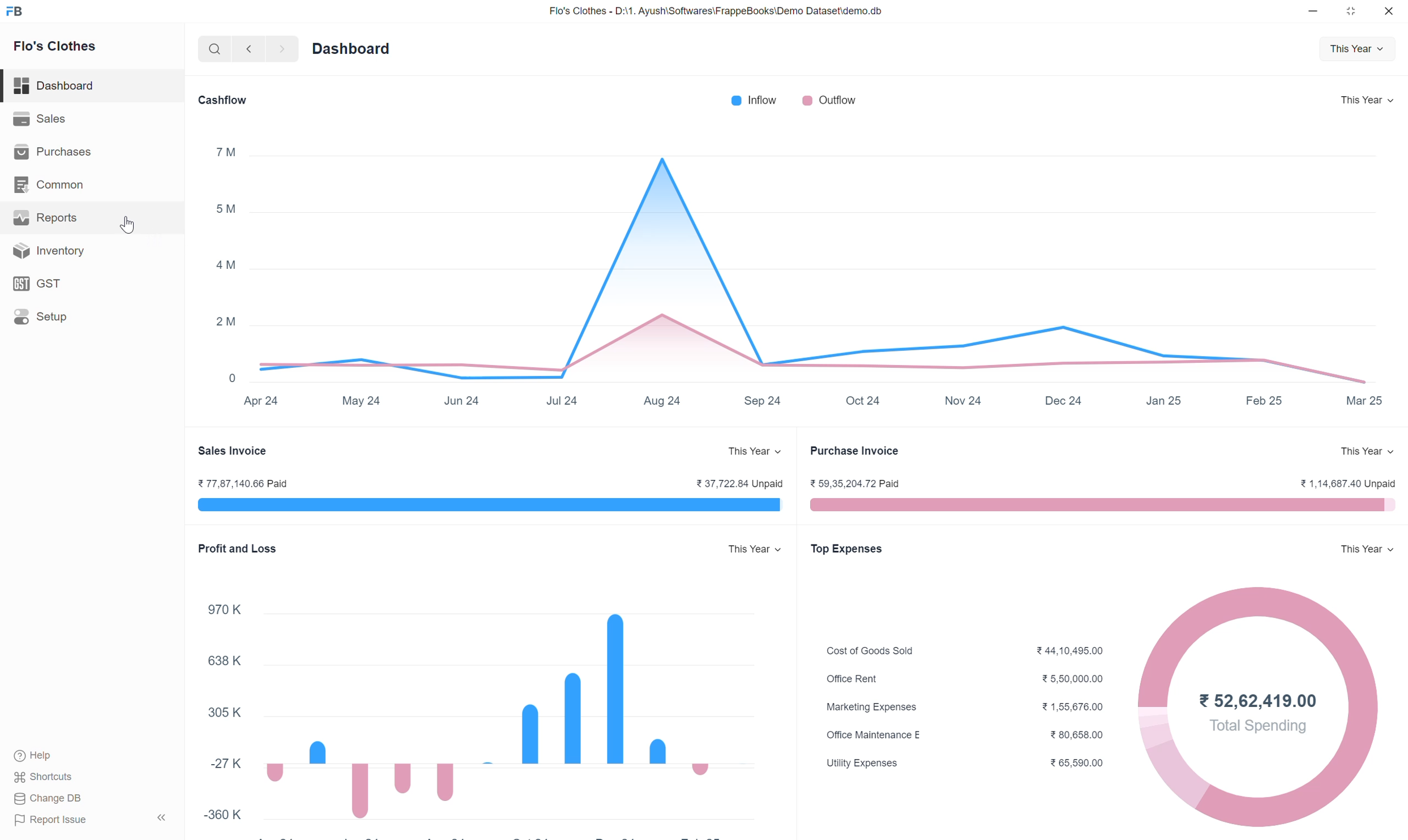  Describe the element at coordinates (234, 379) in the screenshot. I see `0` at that location.